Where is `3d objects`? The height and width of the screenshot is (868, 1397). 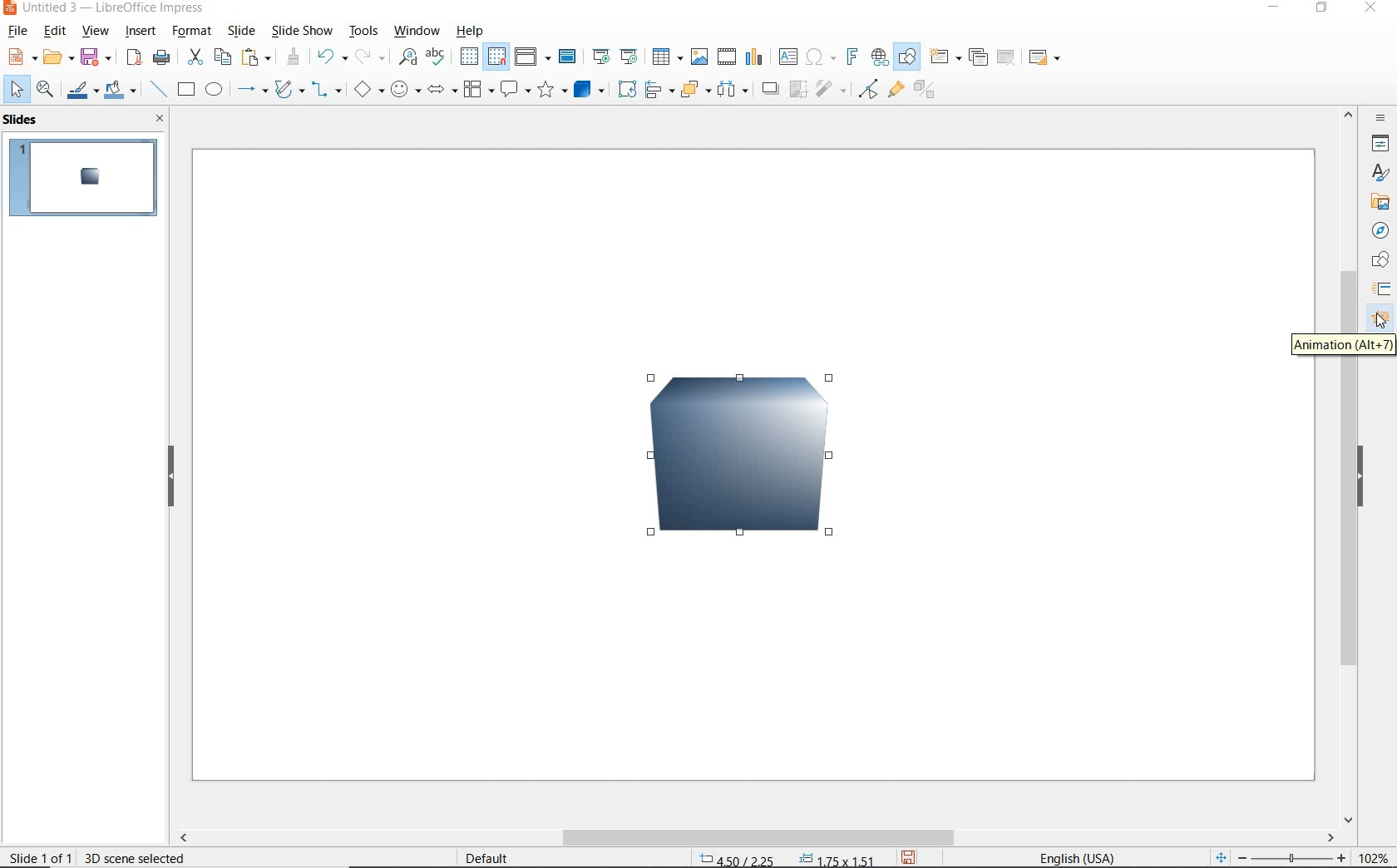 3d objects is located at coordinates (589, 90).